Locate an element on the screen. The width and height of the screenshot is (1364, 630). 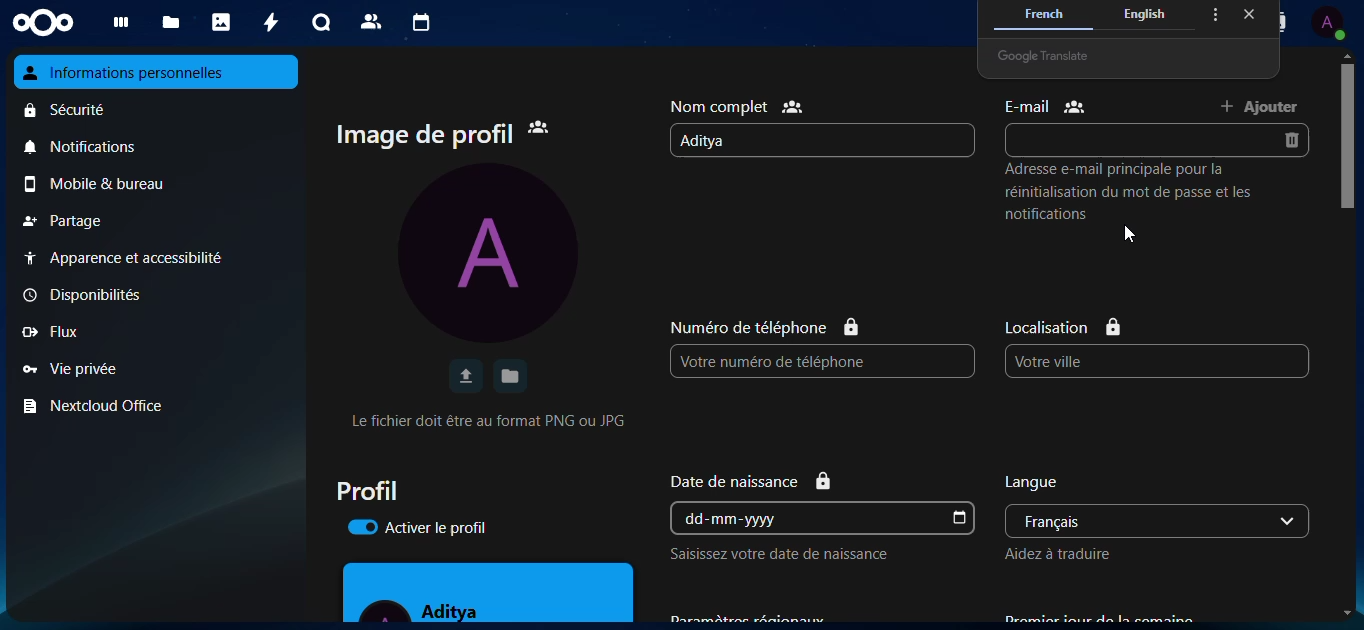
save is located at coordinates (510, 375).